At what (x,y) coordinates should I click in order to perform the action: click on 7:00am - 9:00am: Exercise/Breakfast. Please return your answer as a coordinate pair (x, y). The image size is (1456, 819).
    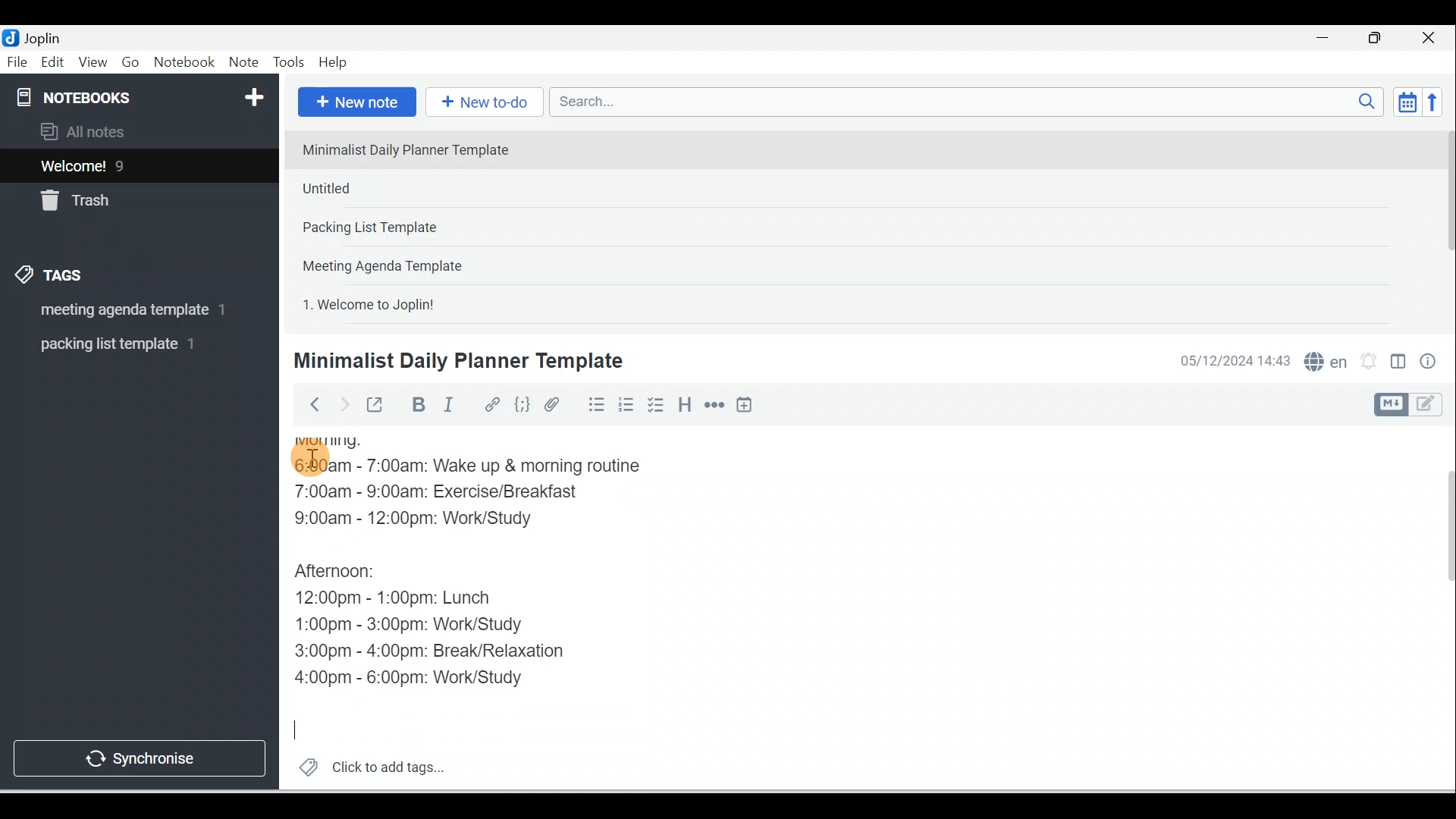
    Looking at the image, I should click on (453, 494).